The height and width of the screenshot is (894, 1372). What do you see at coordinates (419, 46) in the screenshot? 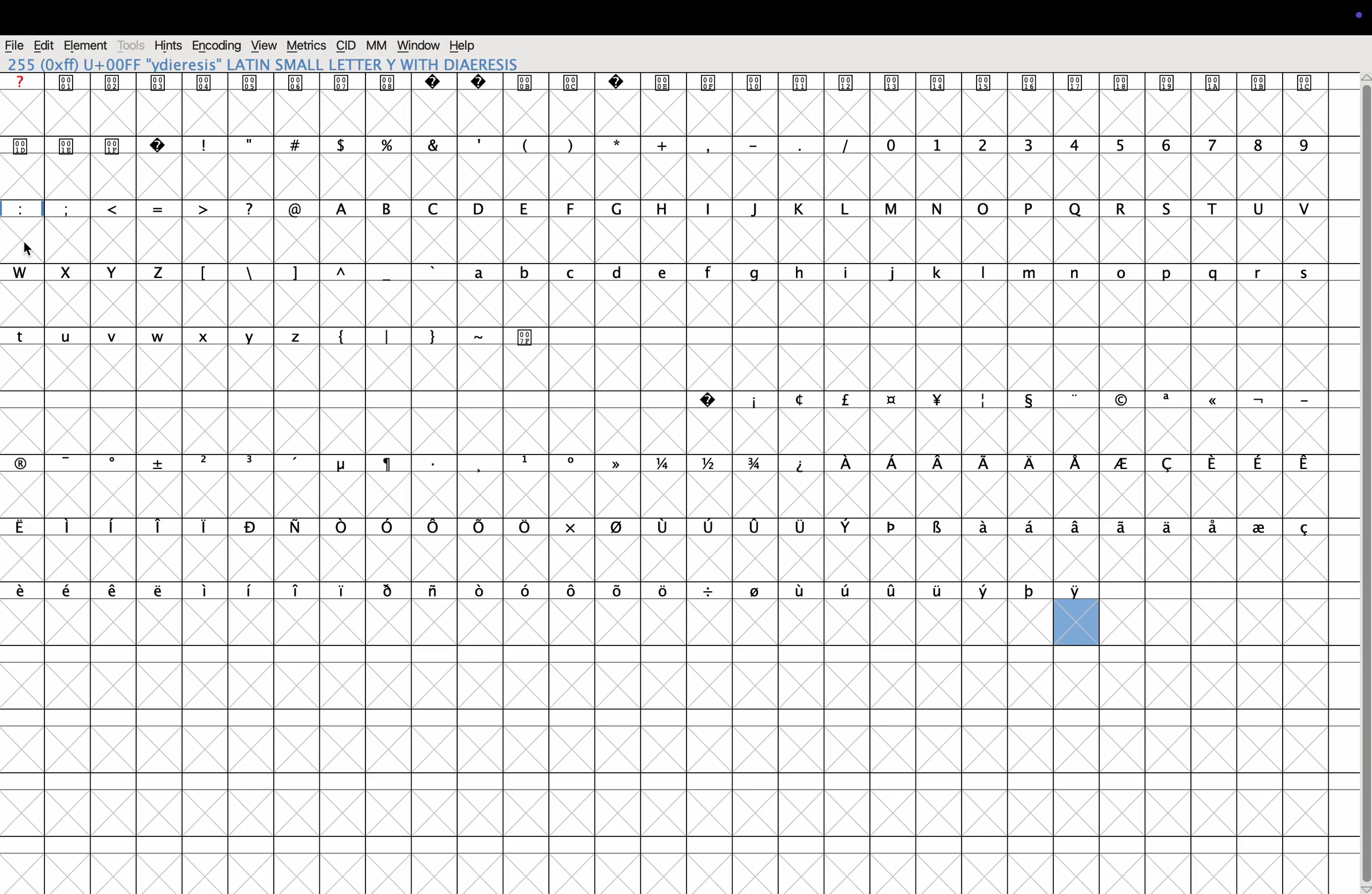
I see `window` at bounding box center [419, 46].